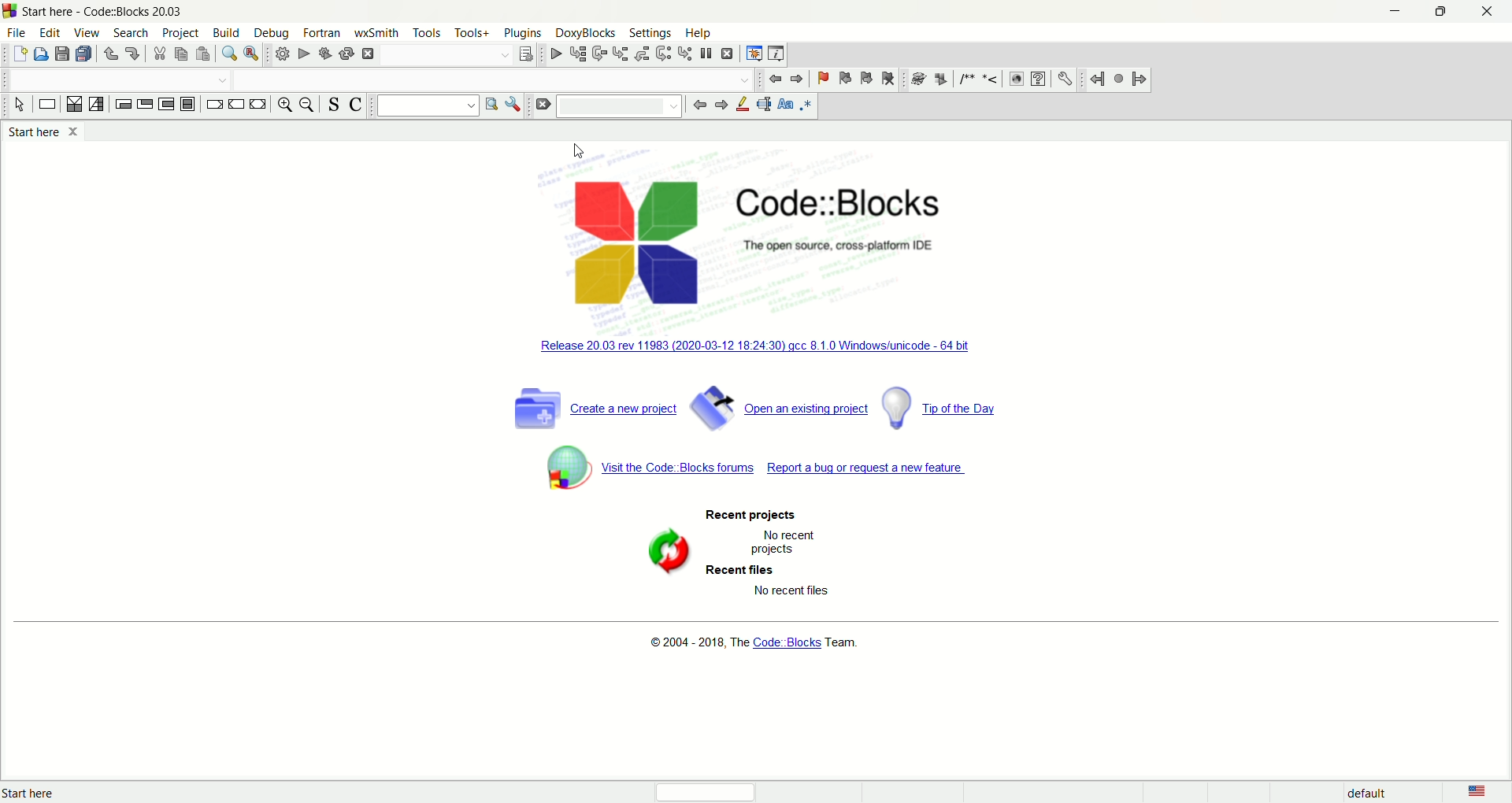 The height and width of the screenshot is (803, 1512). Describe the element at coordinates (747, 572) in the screenshot. I see `recent files` at that location.